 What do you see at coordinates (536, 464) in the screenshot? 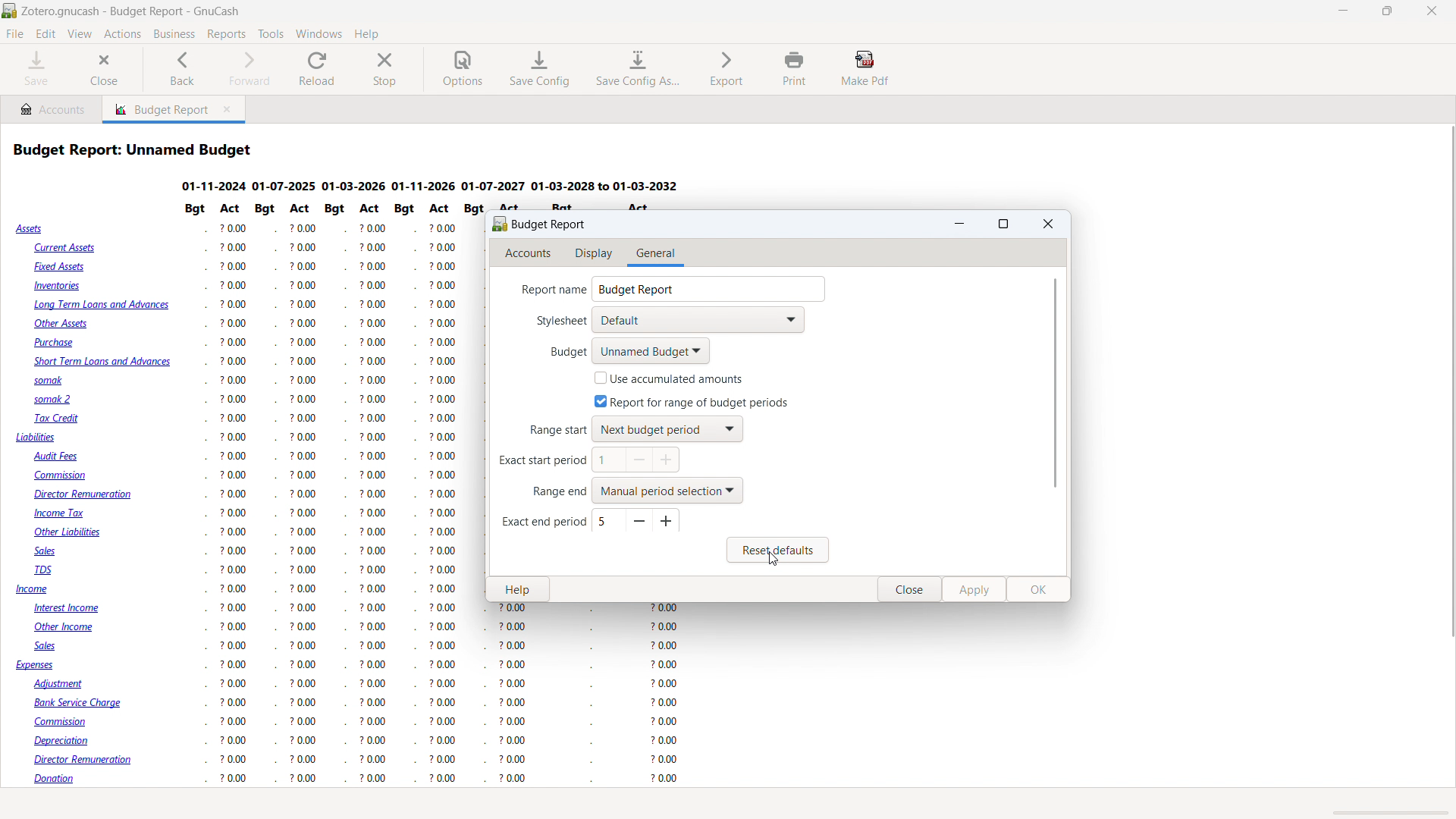
I see `| Exact start period` at bounding box center [536, 464].